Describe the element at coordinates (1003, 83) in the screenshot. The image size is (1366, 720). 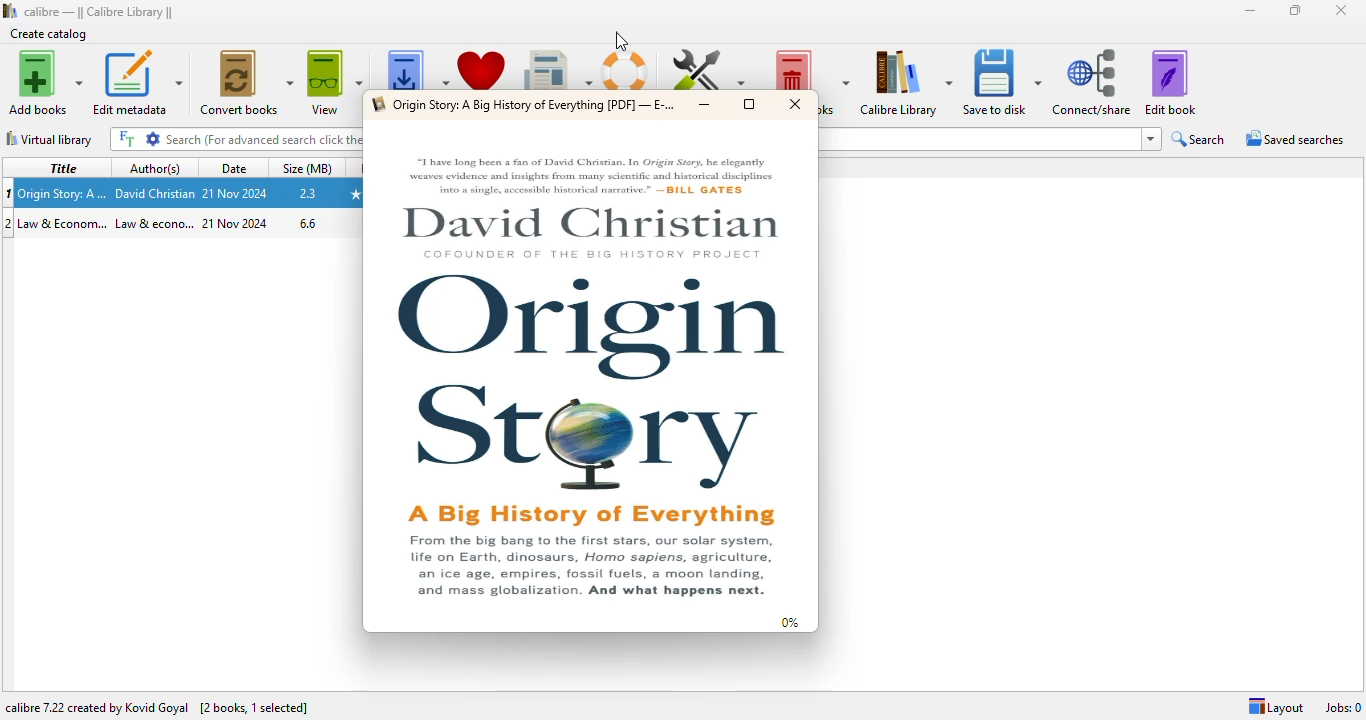
I see `save to disk` at that location.